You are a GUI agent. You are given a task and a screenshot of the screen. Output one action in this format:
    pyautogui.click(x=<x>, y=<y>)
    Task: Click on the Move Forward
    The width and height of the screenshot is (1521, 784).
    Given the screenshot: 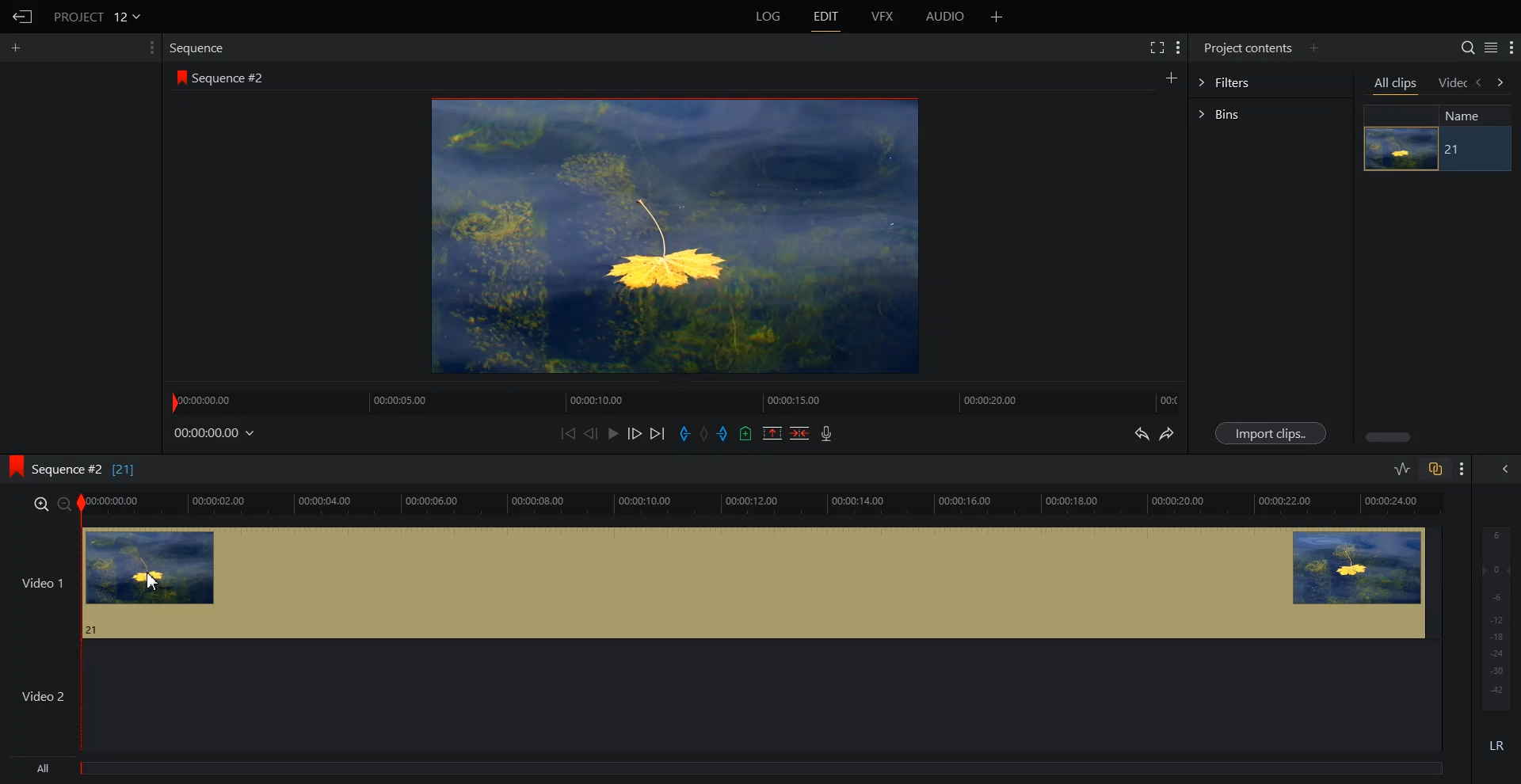 What is the action you would take?
    pyautogui.click(x=658, y=433)
    